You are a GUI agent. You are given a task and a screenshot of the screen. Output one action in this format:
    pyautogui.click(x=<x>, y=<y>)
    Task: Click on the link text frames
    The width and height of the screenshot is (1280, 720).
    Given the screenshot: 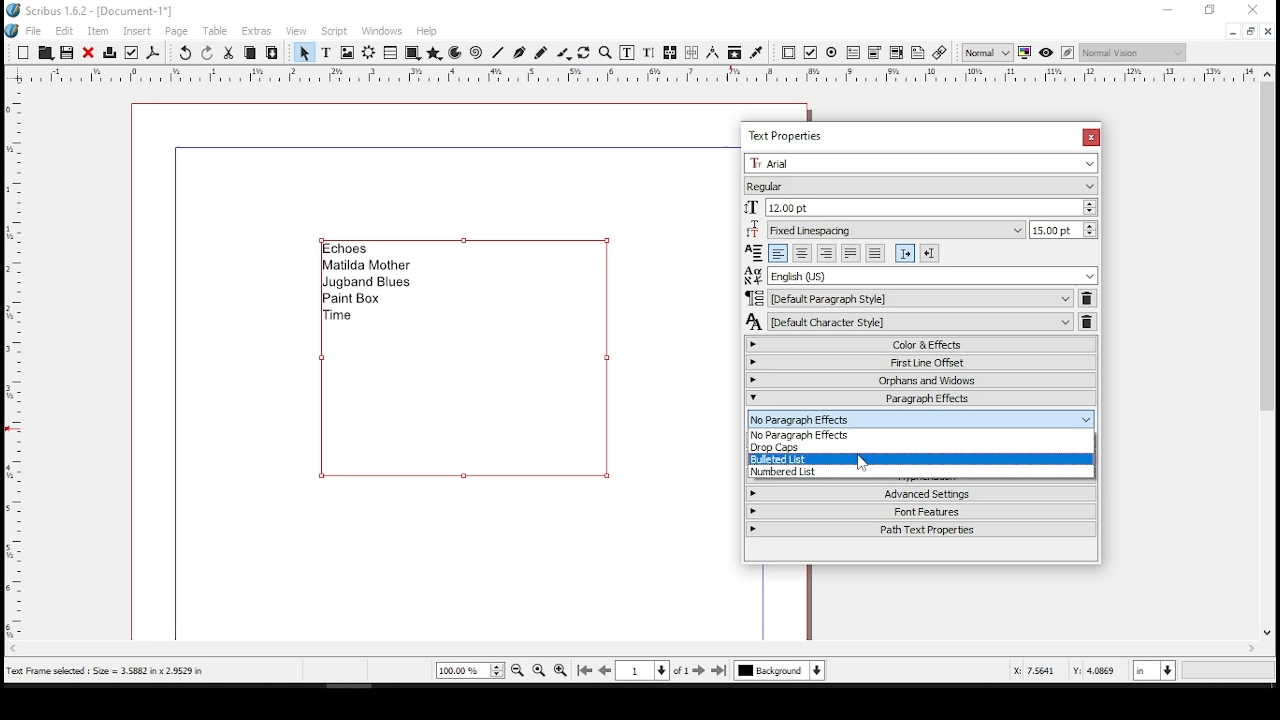 What is the action you would take?
    pyautogui.click(x=670, y=54)
    